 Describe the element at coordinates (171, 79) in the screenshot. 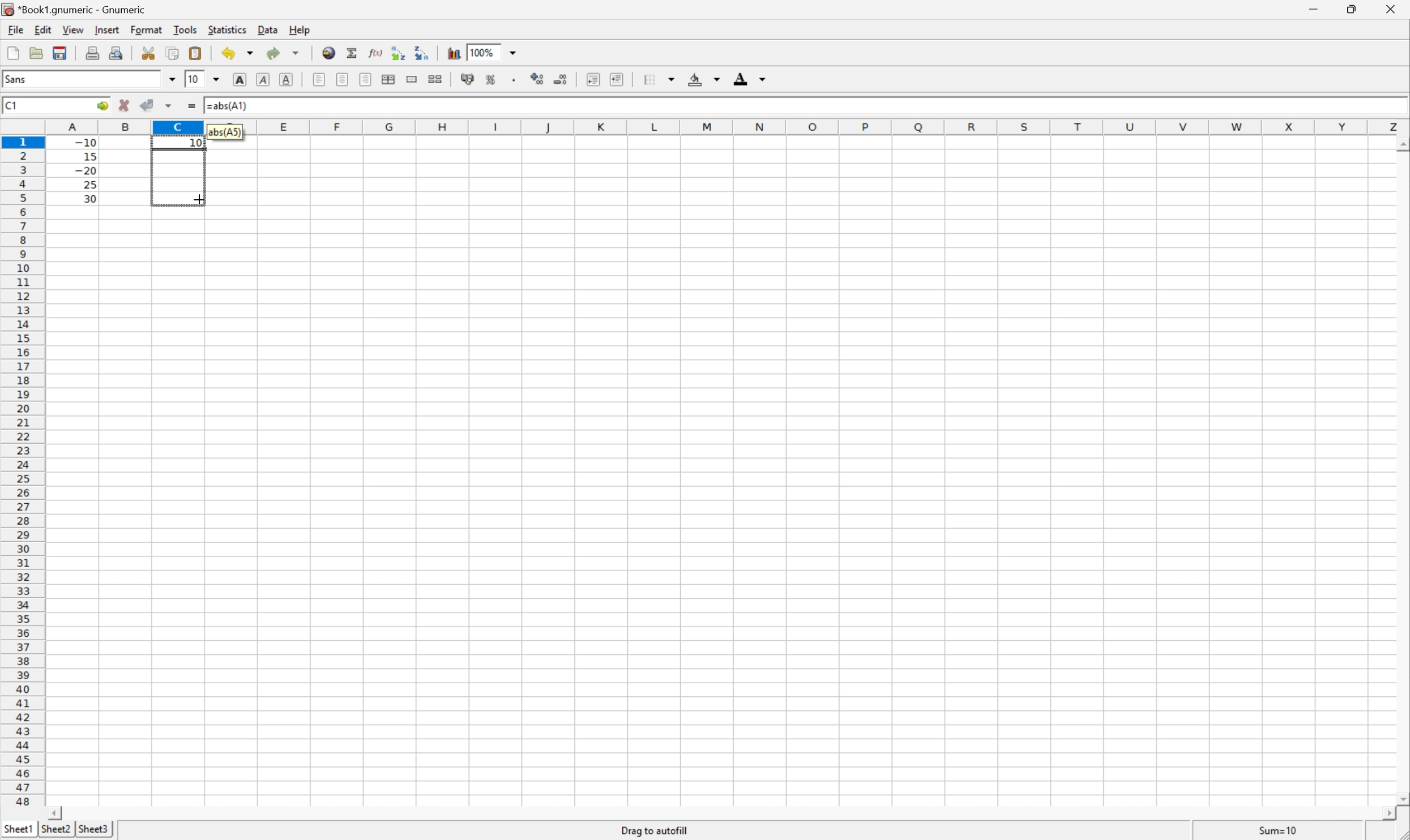

I see `Drop Down` at that location.